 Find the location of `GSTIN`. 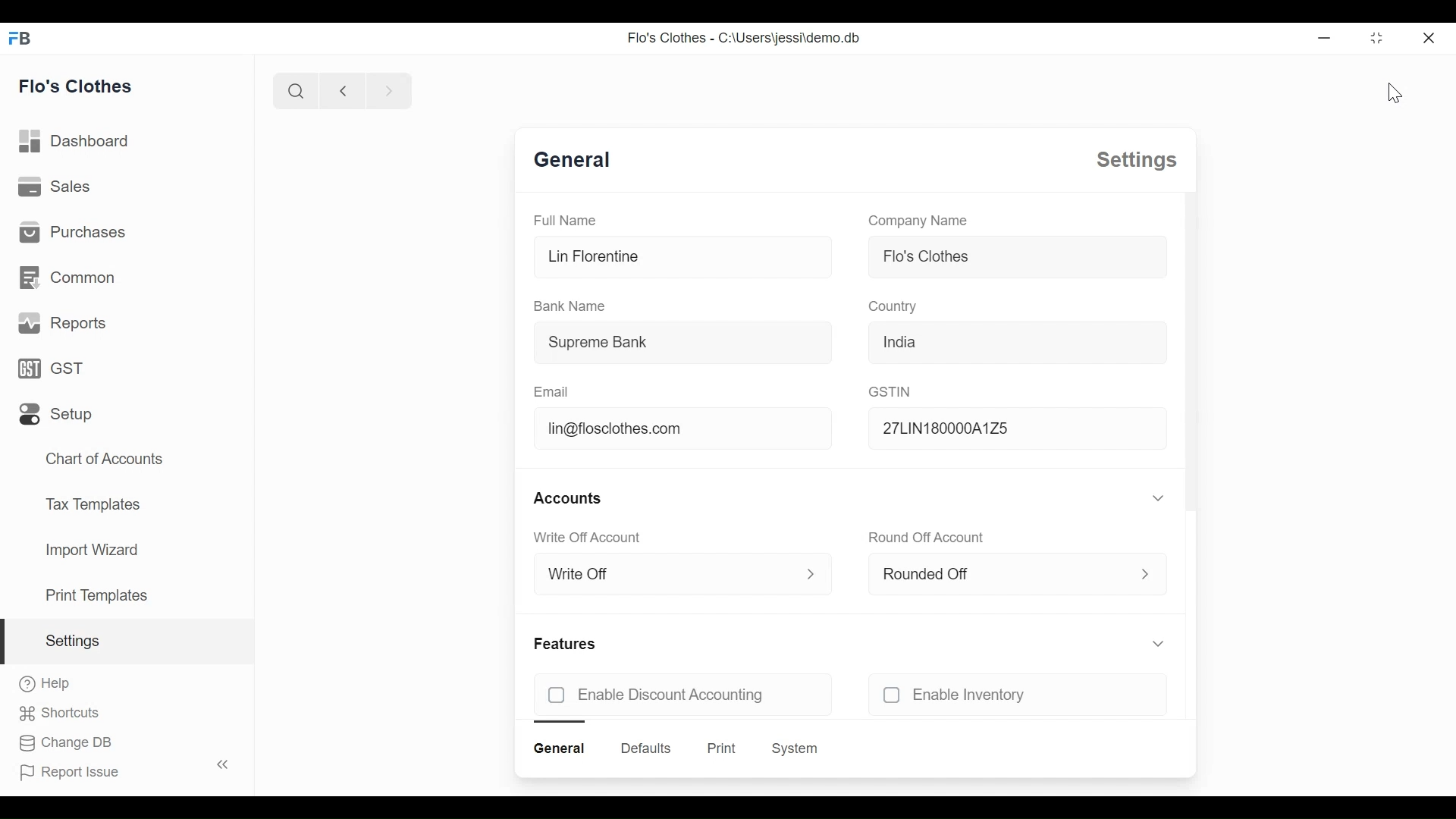

GSTIN is located at coordinates (895, 393).